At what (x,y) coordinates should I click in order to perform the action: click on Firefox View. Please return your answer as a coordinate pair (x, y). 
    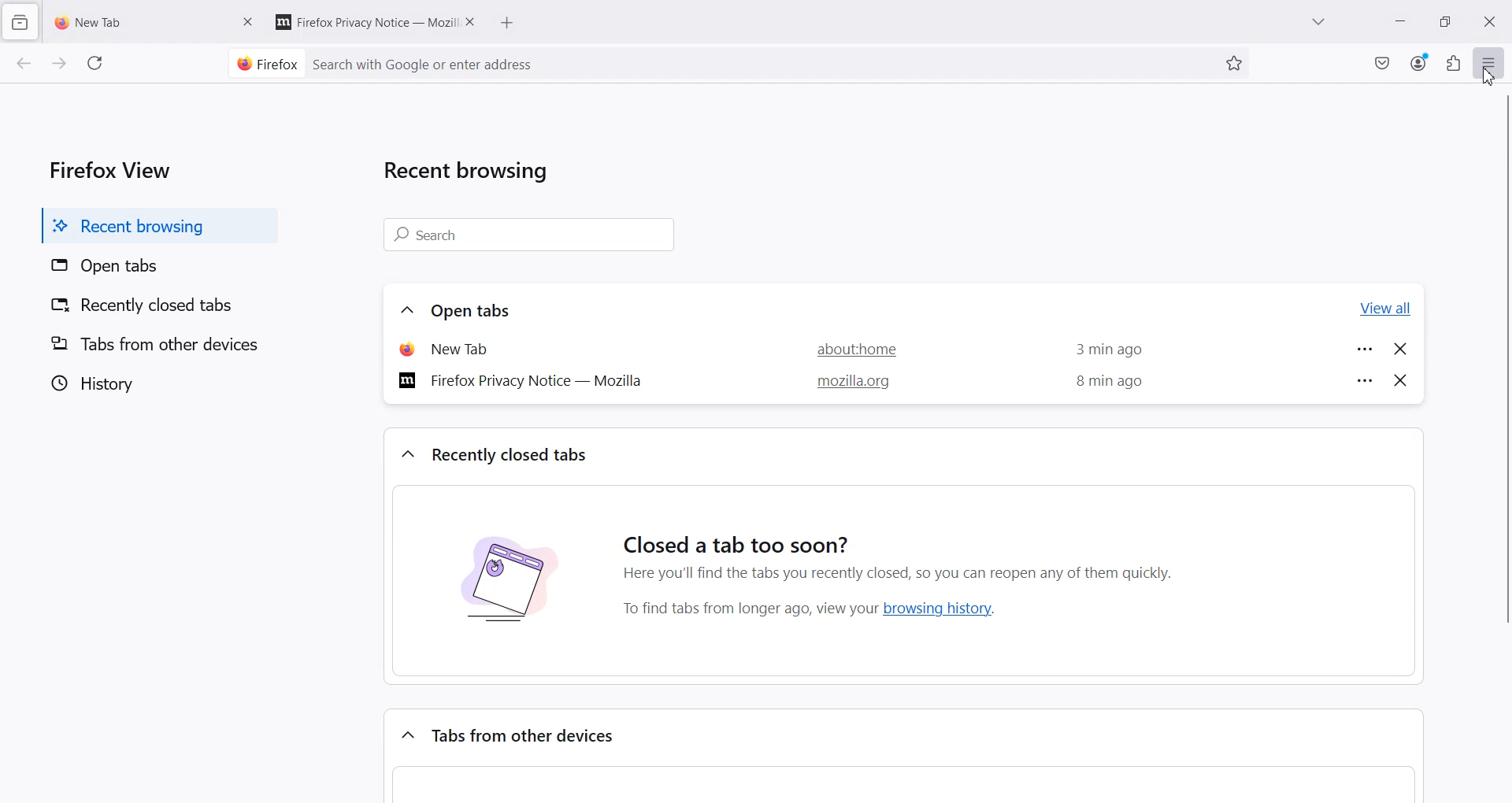
    Looking at the image, I should click on (106, 168).